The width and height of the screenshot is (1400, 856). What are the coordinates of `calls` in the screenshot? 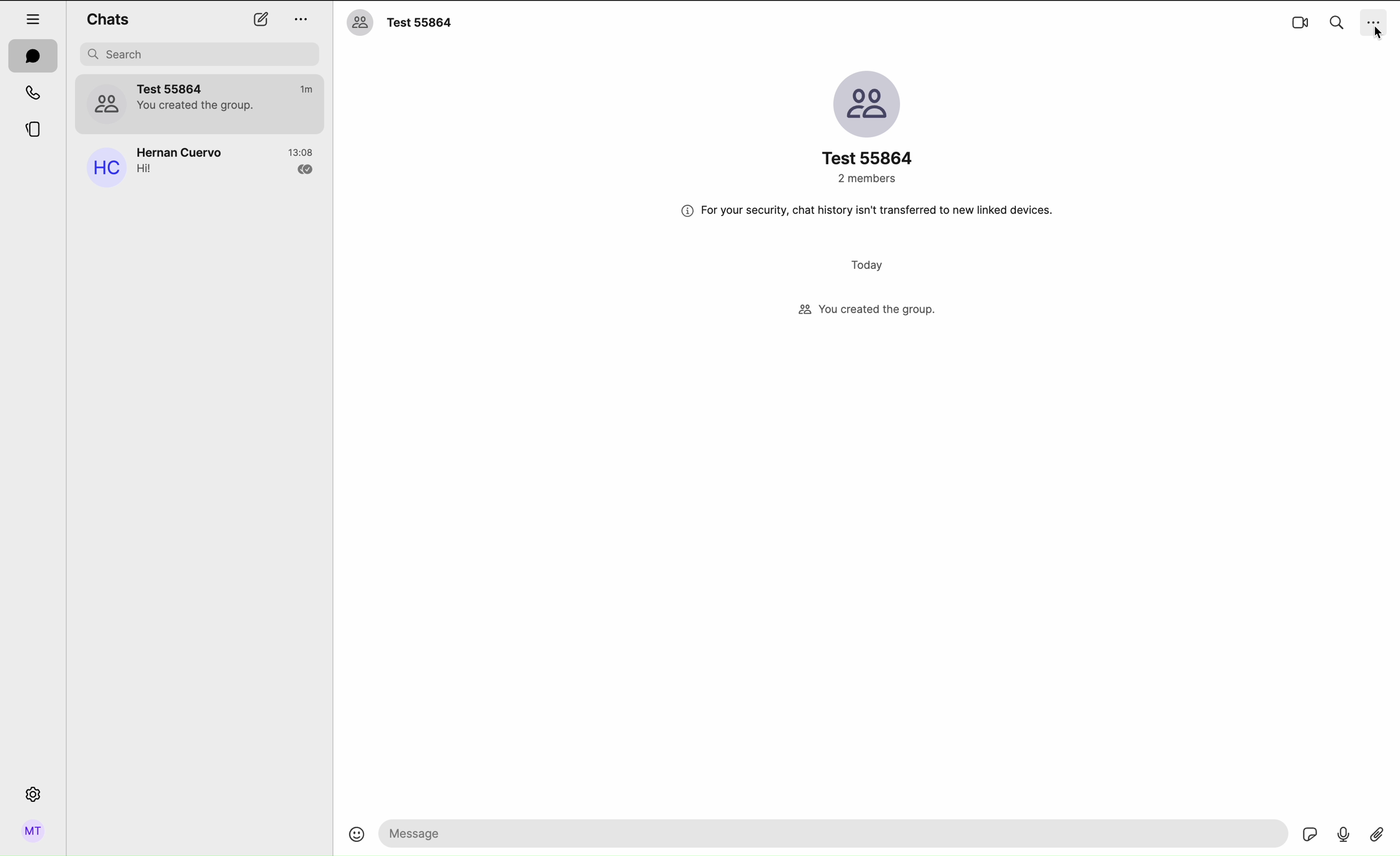 It's located at (30, 94).